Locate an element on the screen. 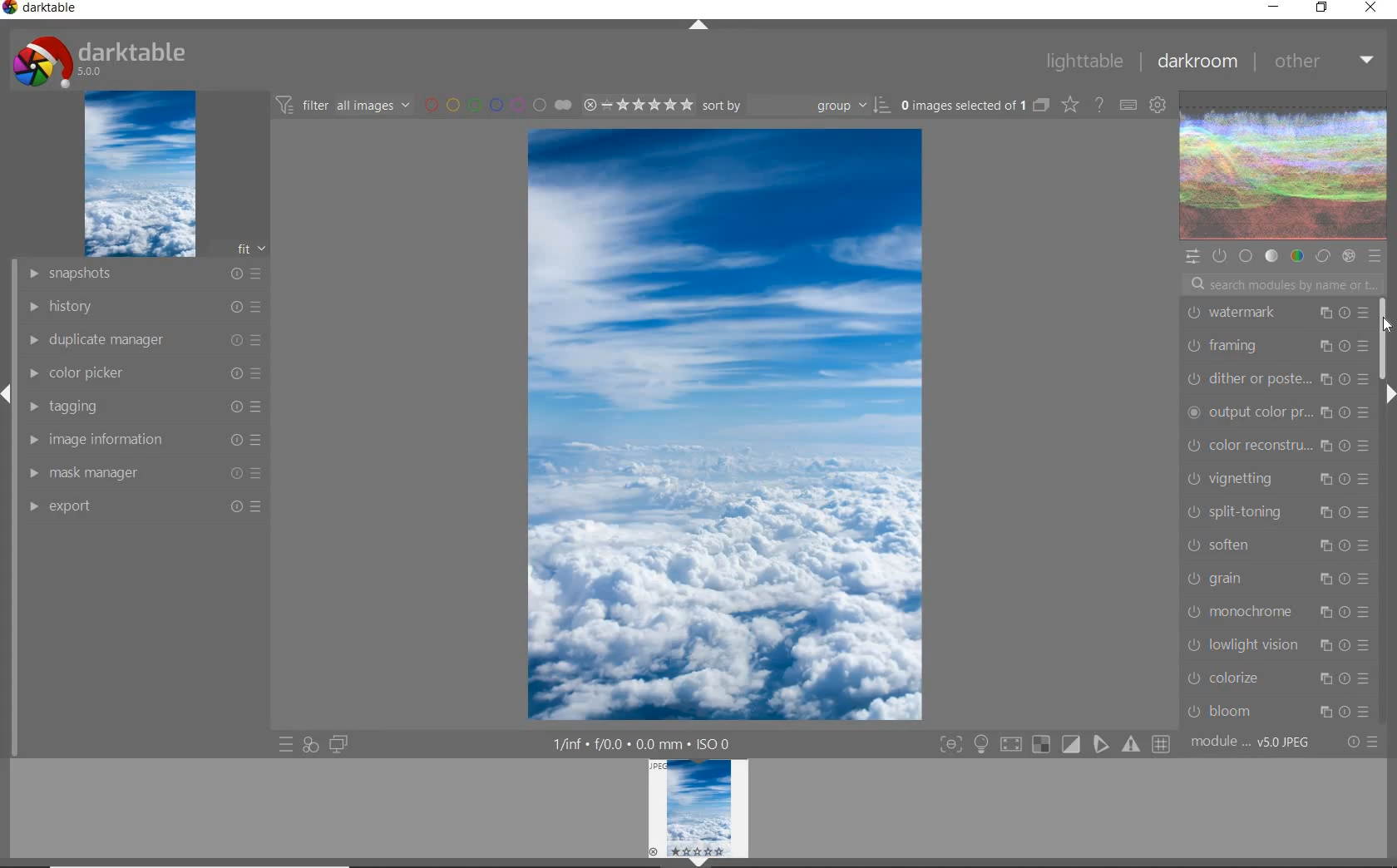  SEARCH MODULES is located at coordinates (1283, 284).